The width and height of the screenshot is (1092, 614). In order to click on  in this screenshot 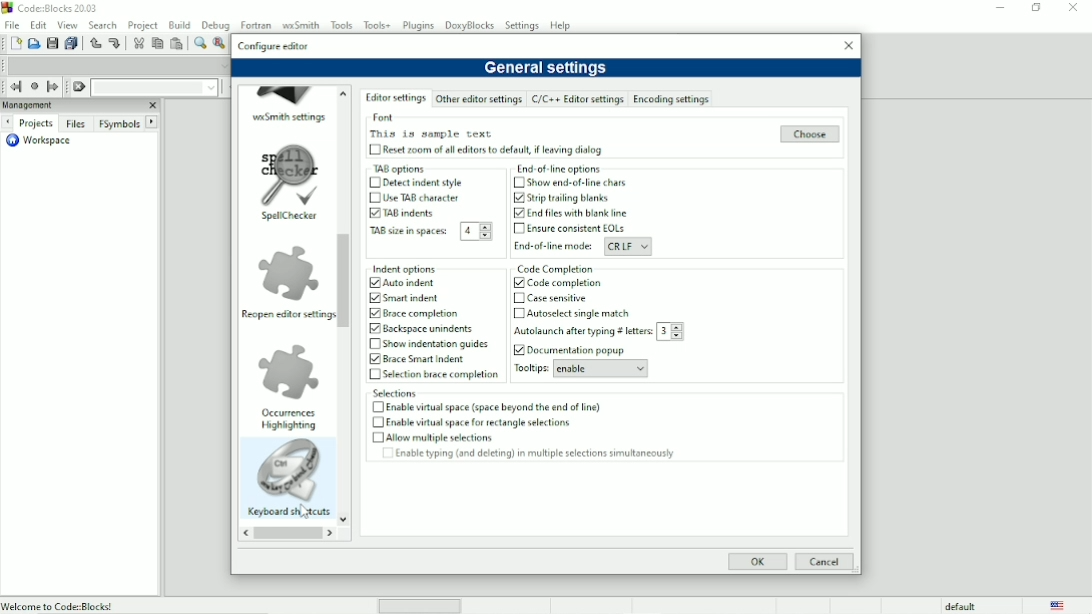, I will do `click(375, 437)`.